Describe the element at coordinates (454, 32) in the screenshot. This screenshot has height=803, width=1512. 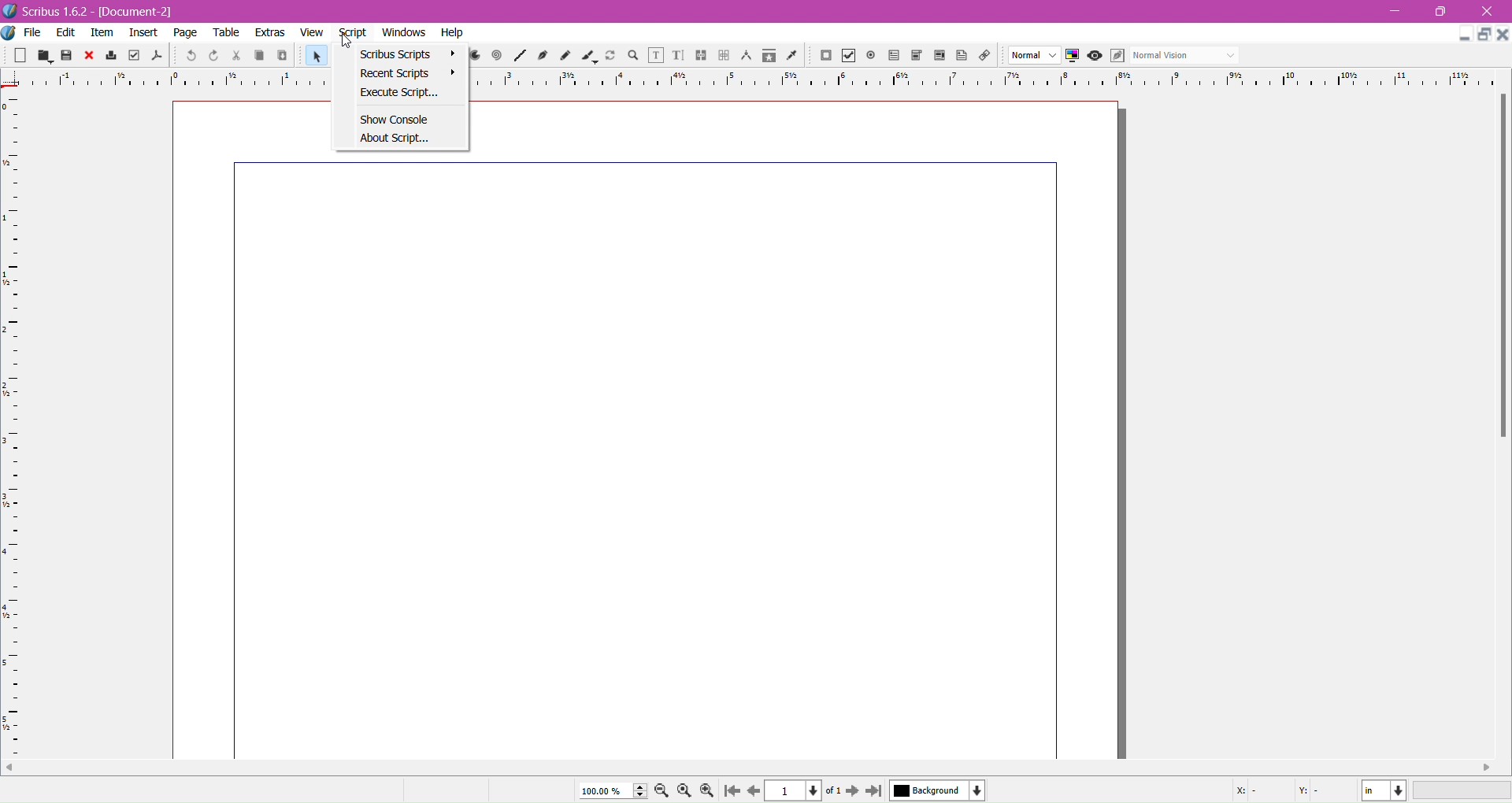
I see `Help` at that location.